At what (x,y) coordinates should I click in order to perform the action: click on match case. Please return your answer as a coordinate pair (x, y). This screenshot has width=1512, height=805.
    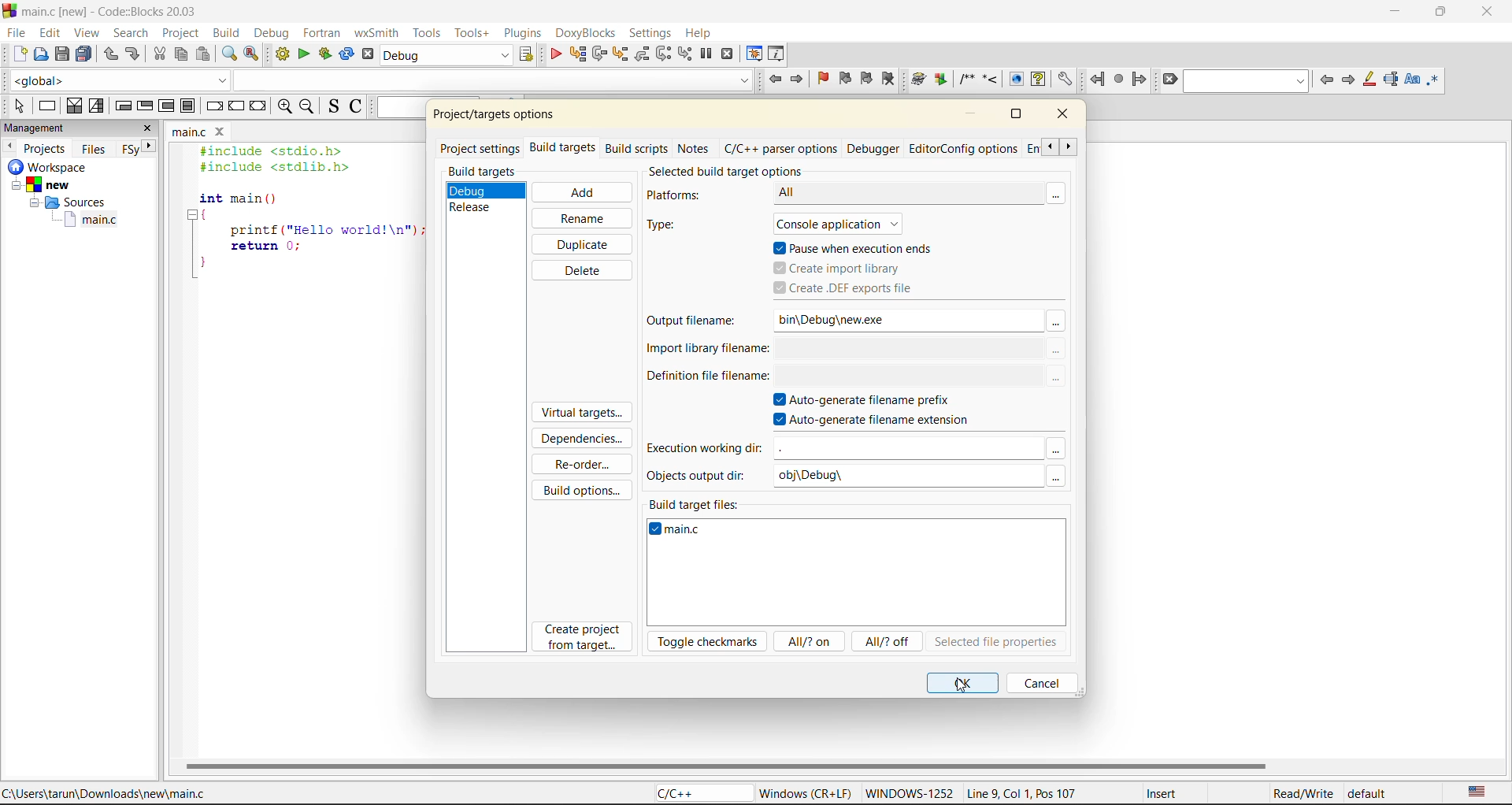
    Looking at the image, I should click on (1413, 80).